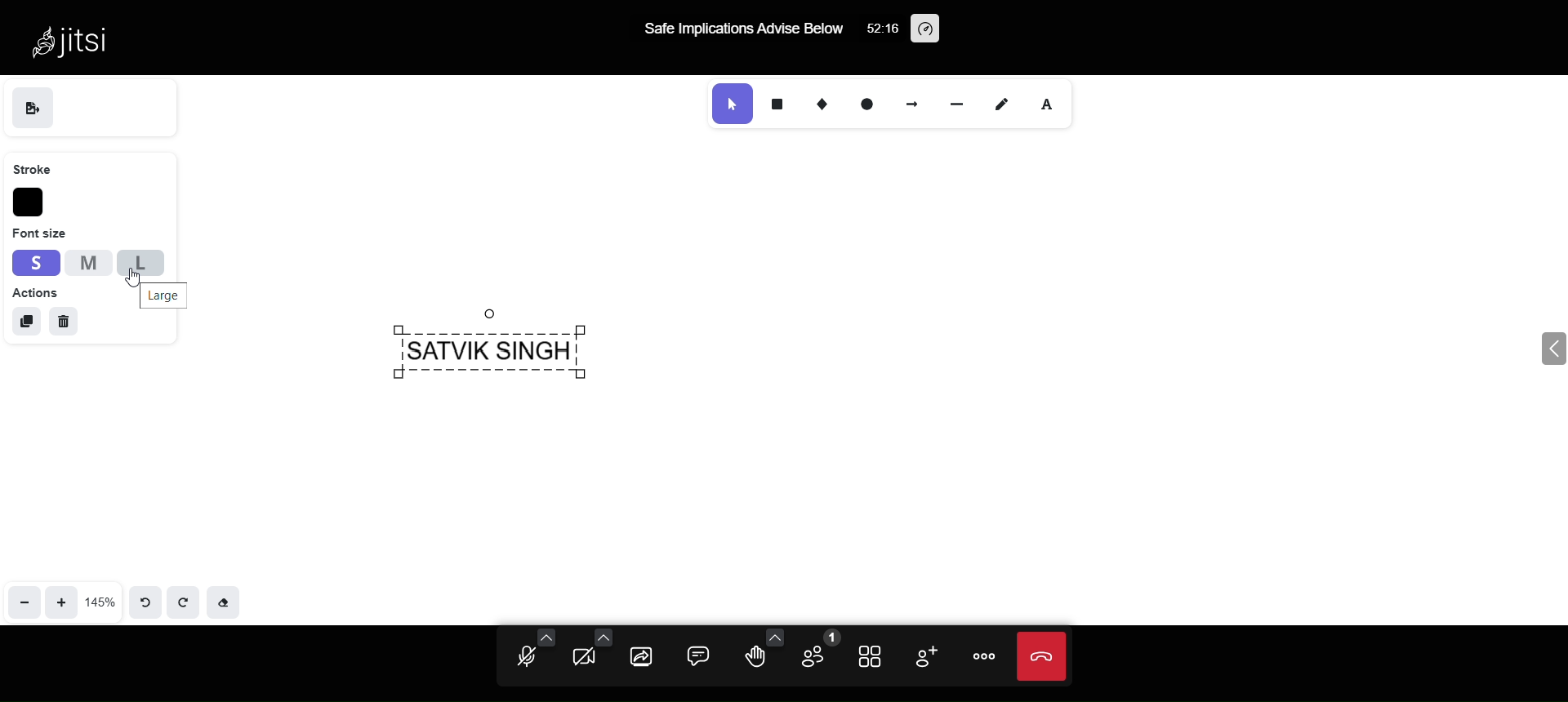 The image size is (1568, 702). Describe the element at coordinates (1529, 352) in the screenshot. I see `expand` at that location.